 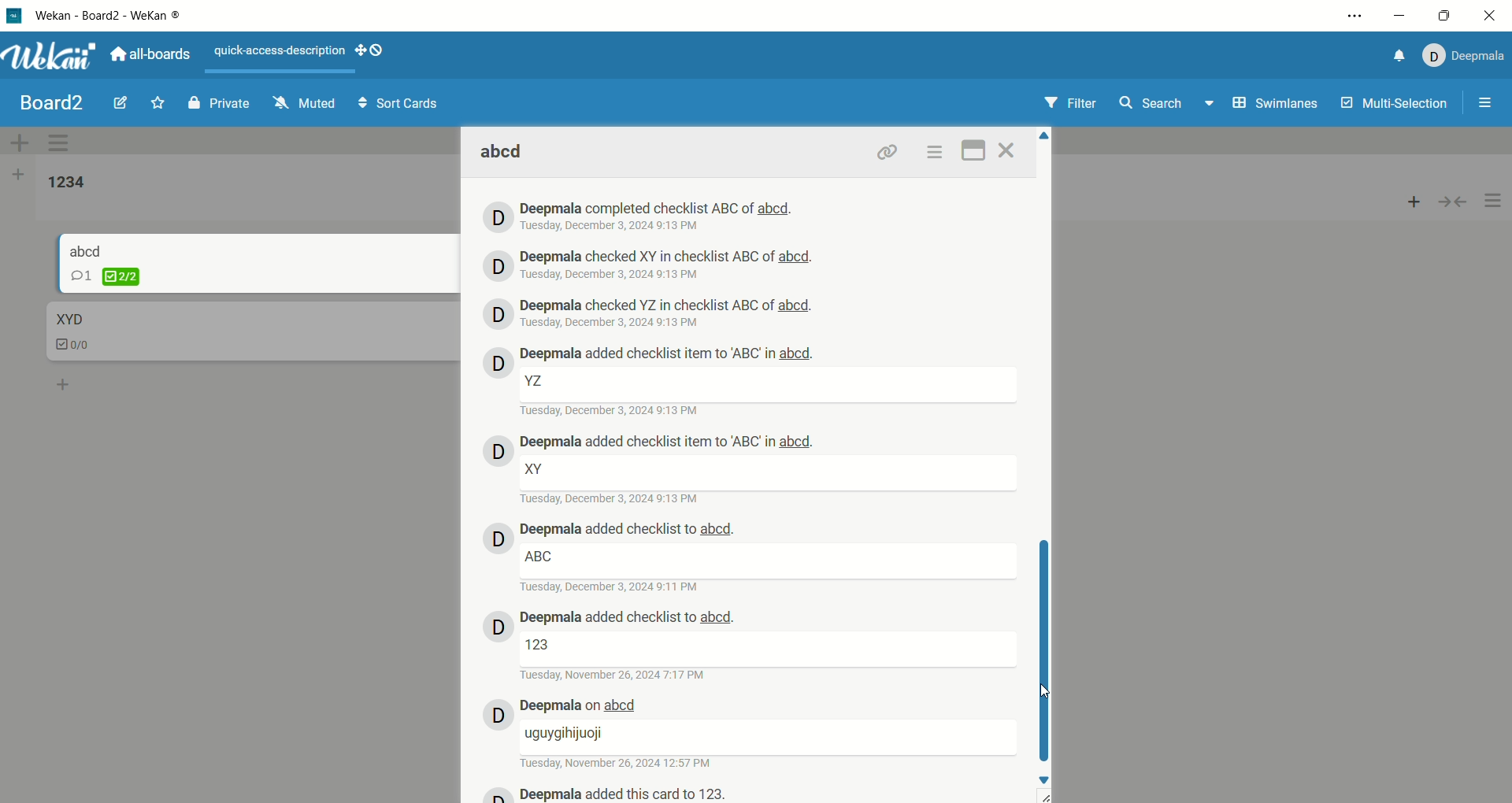 What do you see at coordinates (219, 102) in the screenshot?
I see `private` at bounding box center [219, 102].